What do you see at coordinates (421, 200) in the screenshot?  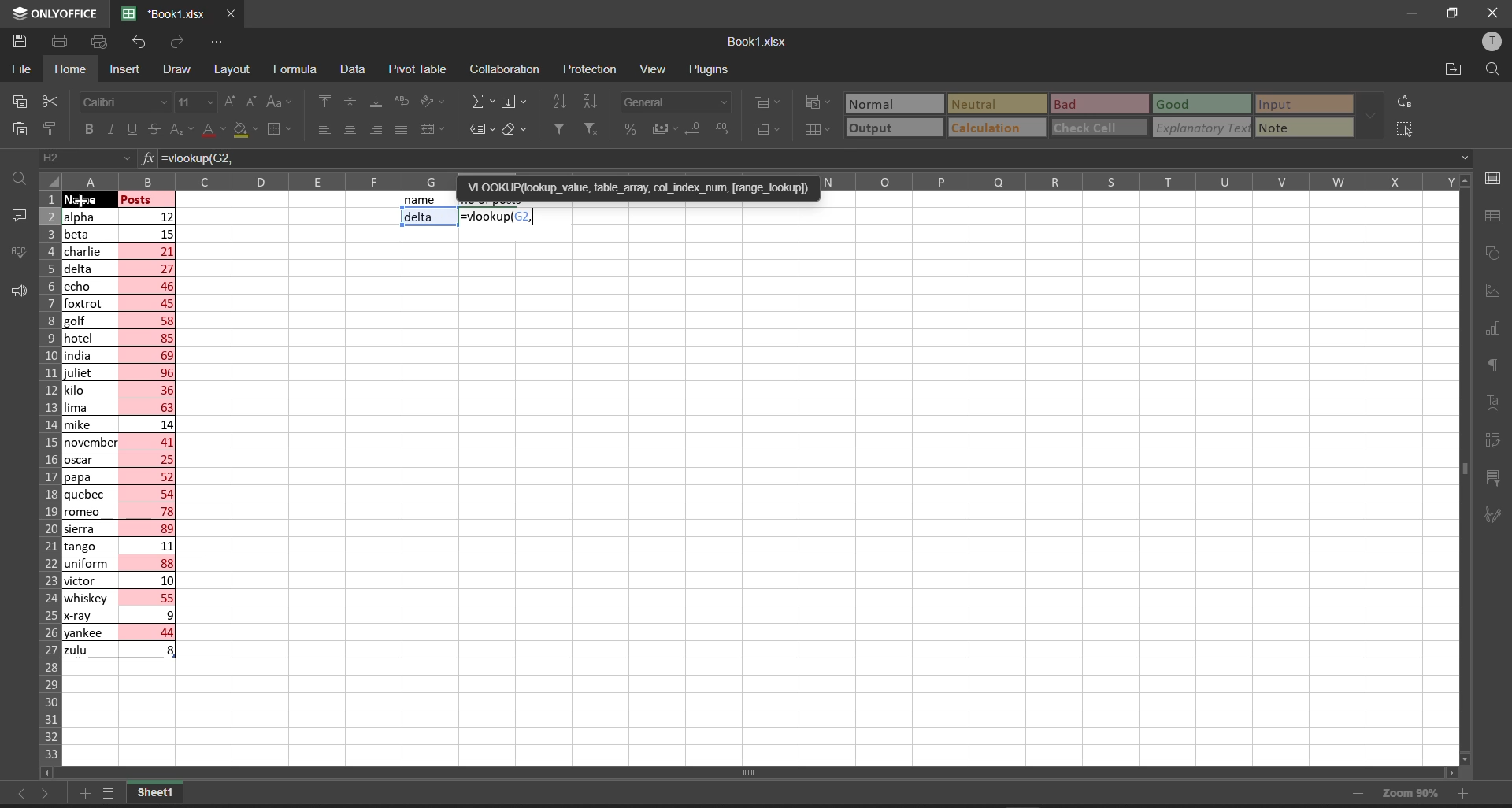 I see `name` at bounding box center [421, 200].